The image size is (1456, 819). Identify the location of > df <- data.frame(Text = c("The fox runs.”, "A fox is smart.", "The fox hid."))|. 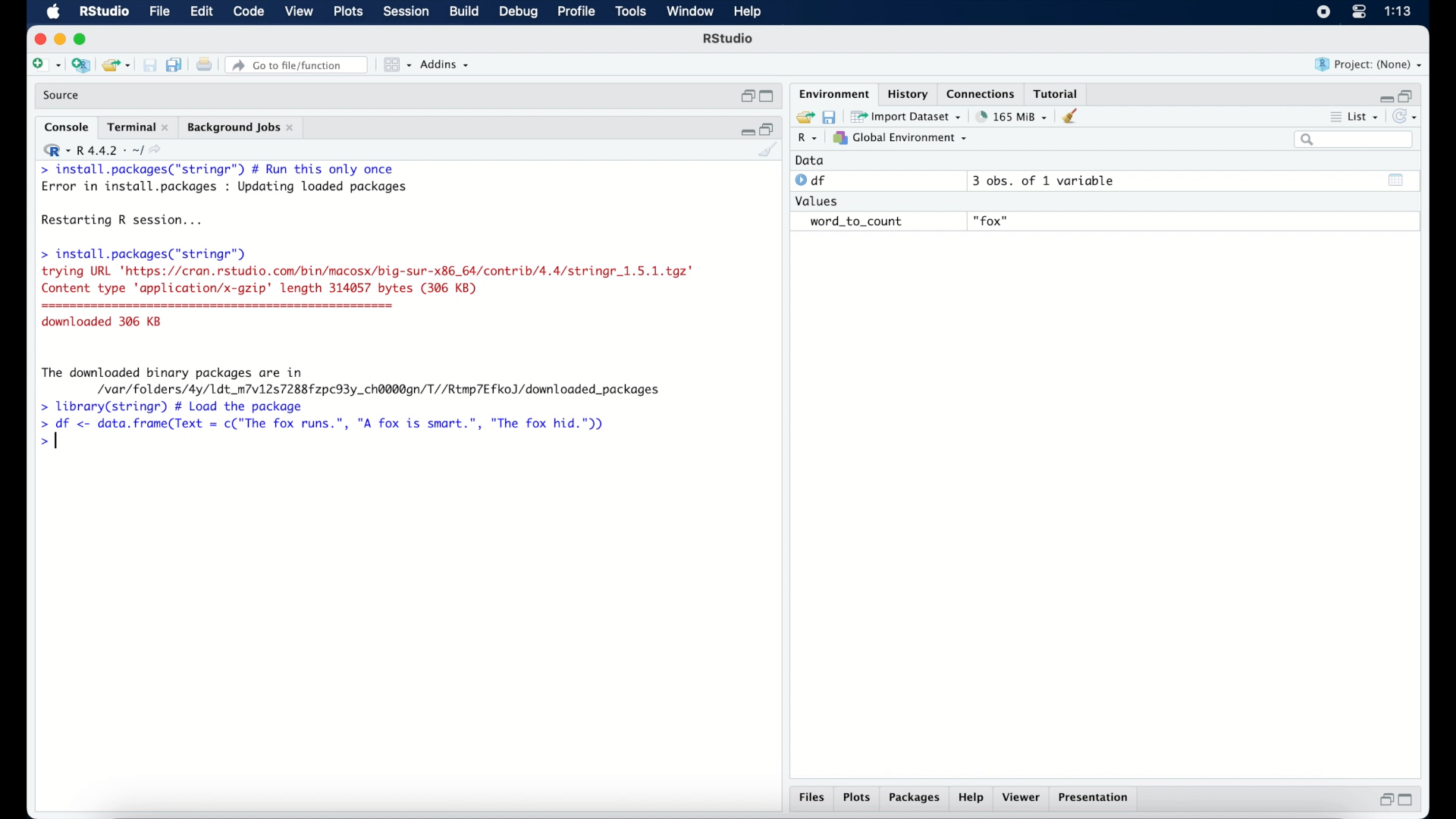
(331, 424).